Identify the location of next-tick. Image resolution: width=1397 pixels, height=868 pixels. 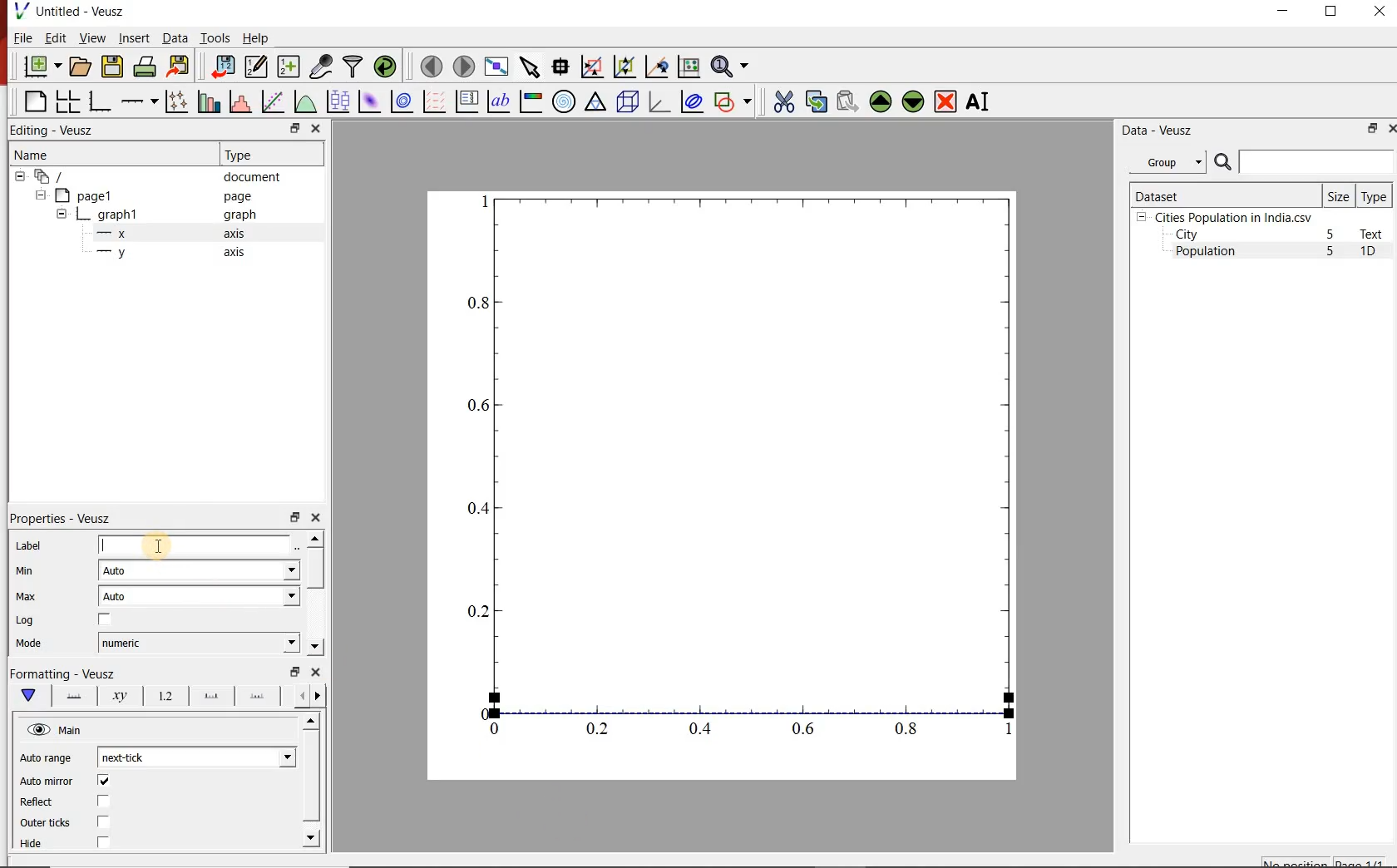
(195, 757).